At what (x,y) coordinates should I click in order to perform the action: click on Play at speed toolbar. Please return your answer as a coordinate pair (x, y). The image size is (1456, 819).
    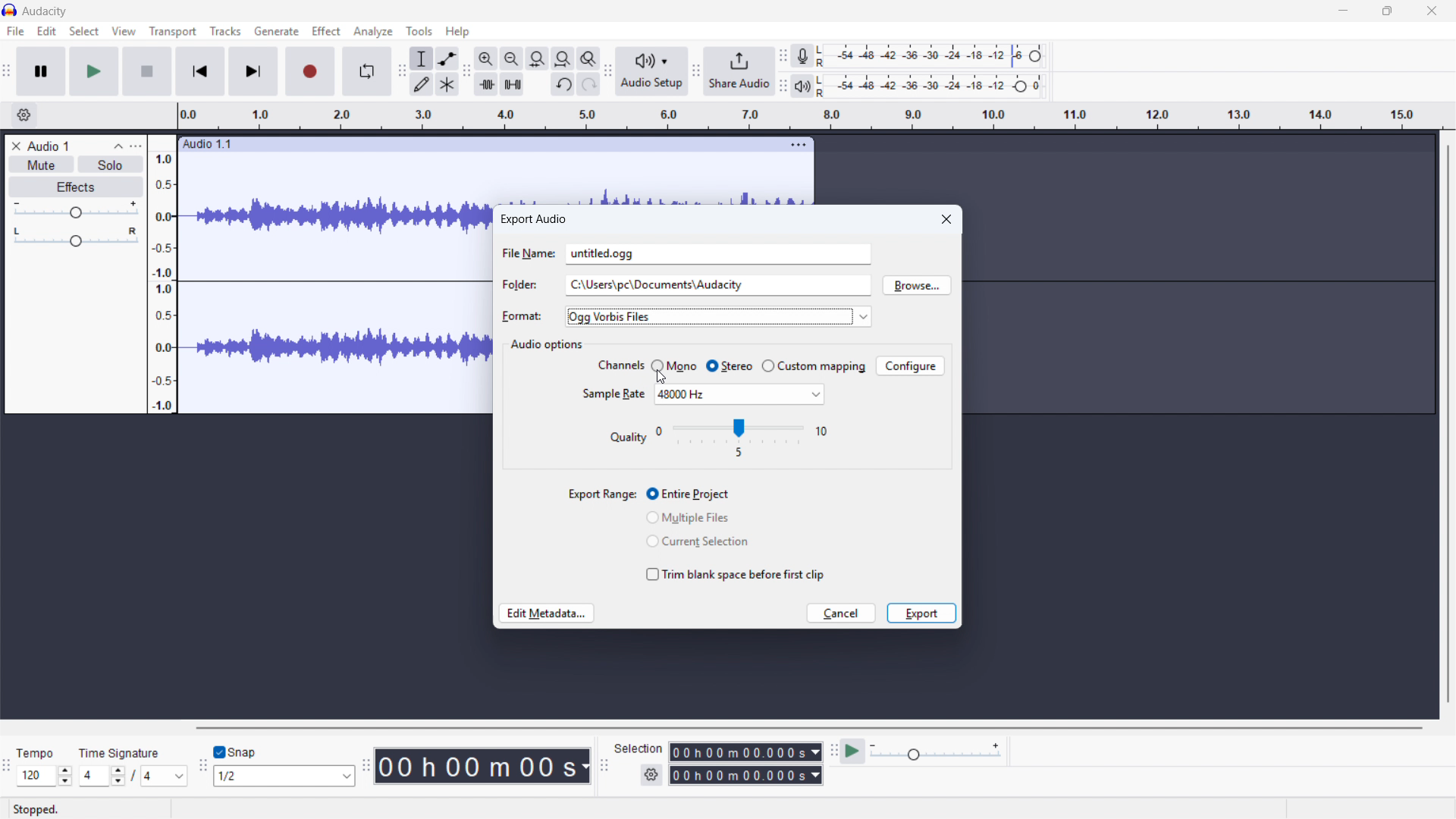
    Looking at the image, I should click on (833, 752).